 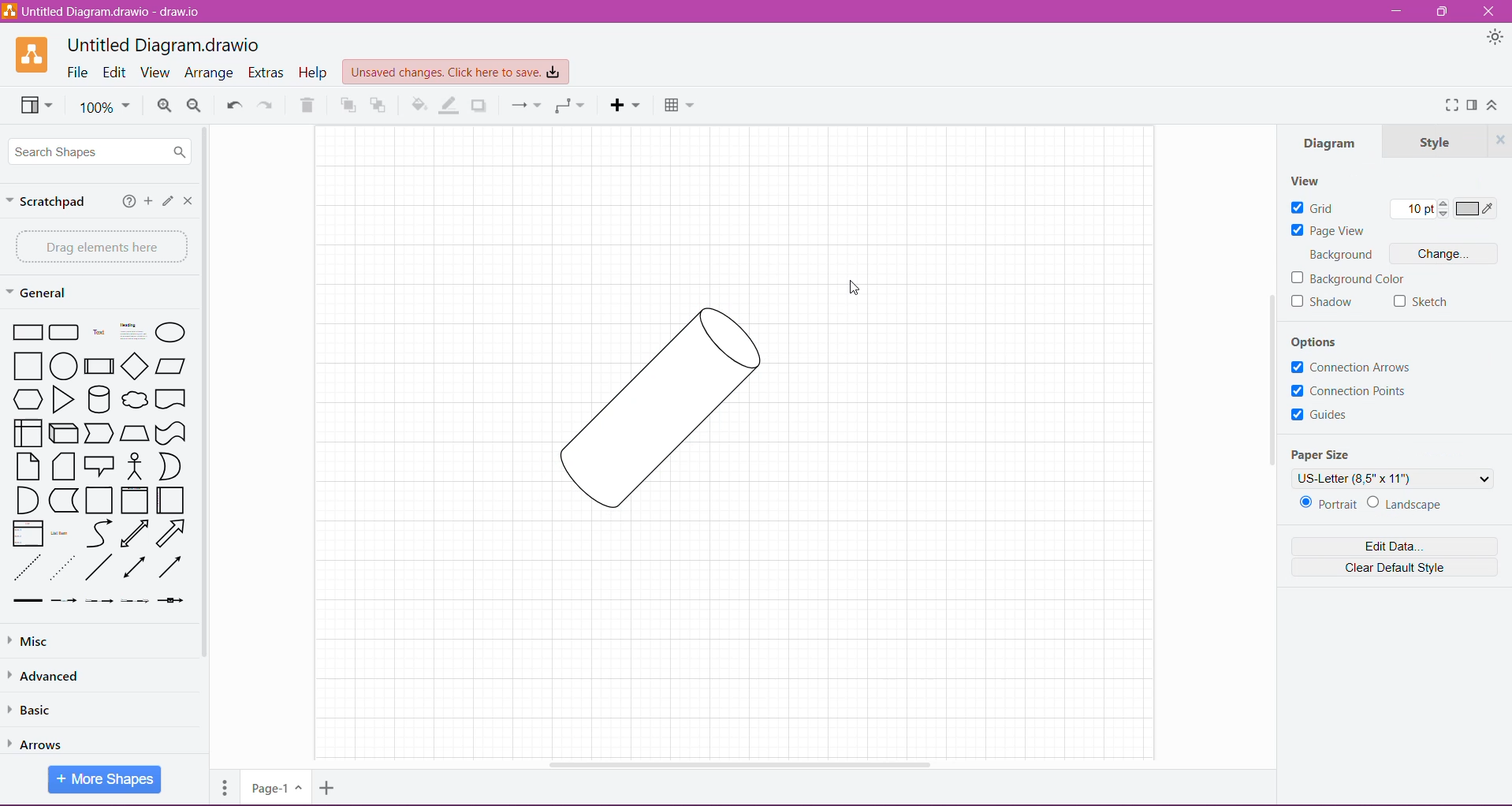 I want to click on General - Click or Drag and drop your shapes, so click(x=39, y=293).